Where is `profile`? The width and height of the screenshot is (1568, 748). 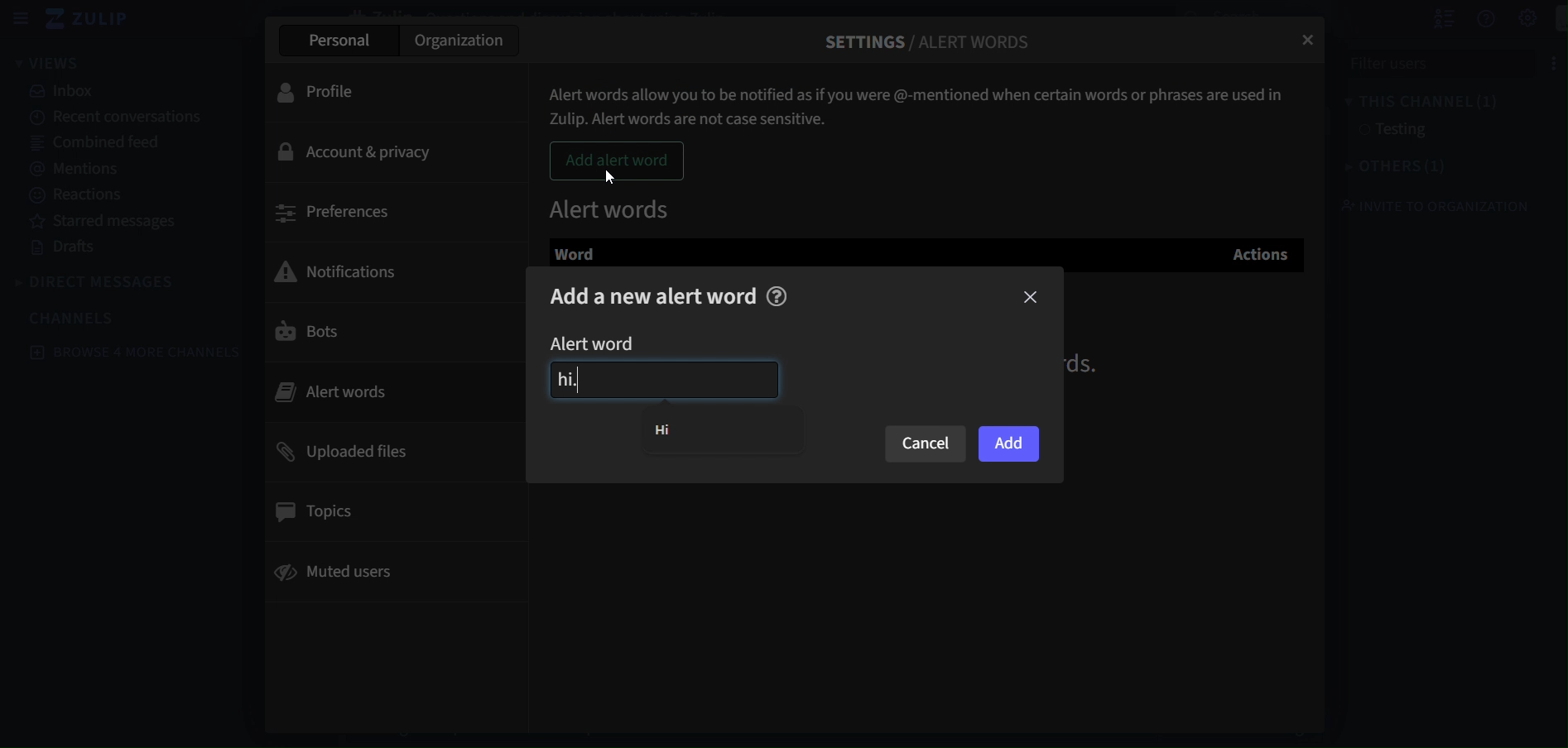 profile is located at coordinates (327, 92).